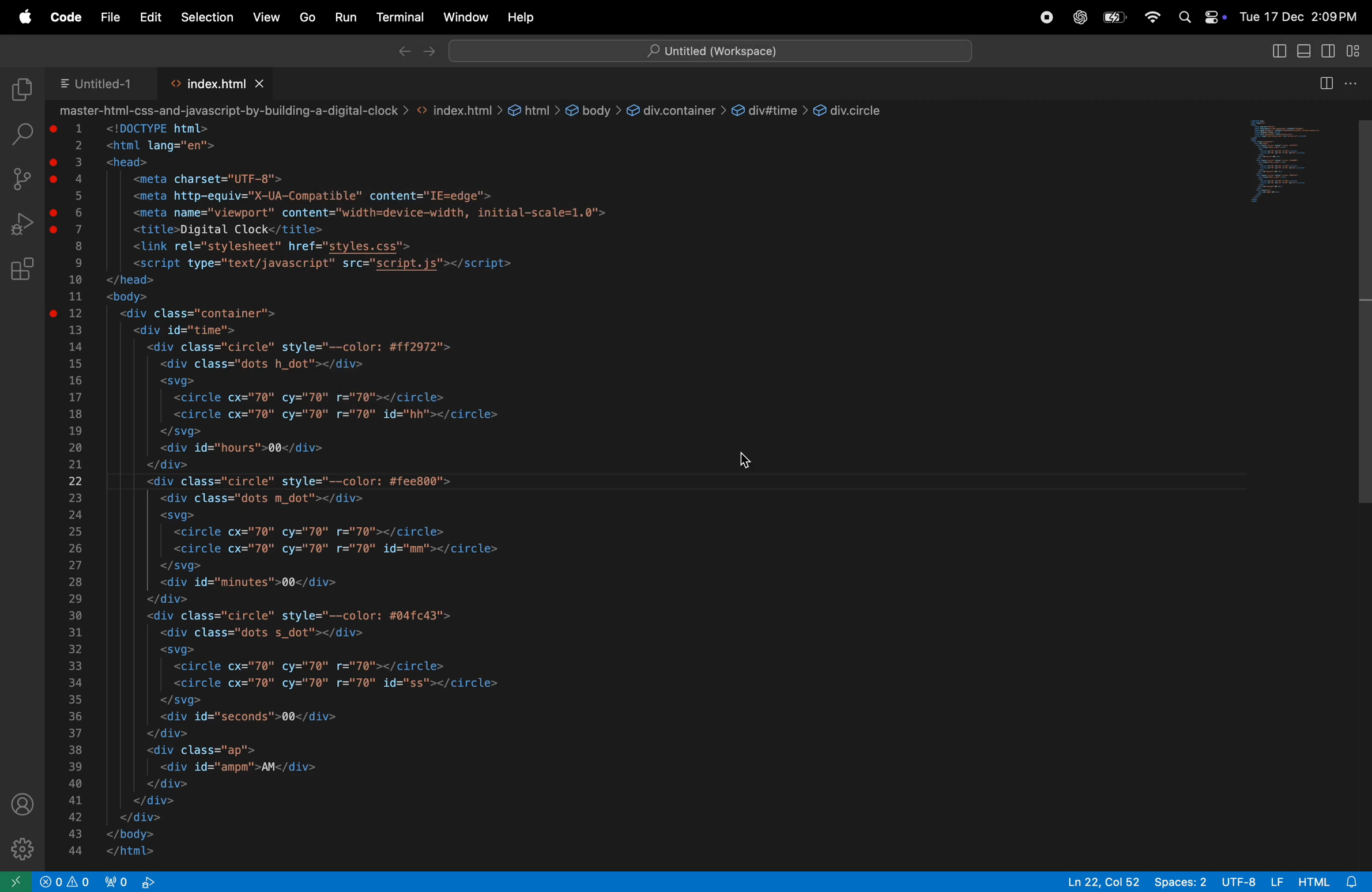 This screenshot has height=892, width=1372. Describe the element at coordinates (1213, 17) in the screenshot. I see `apple widgets` at that location.